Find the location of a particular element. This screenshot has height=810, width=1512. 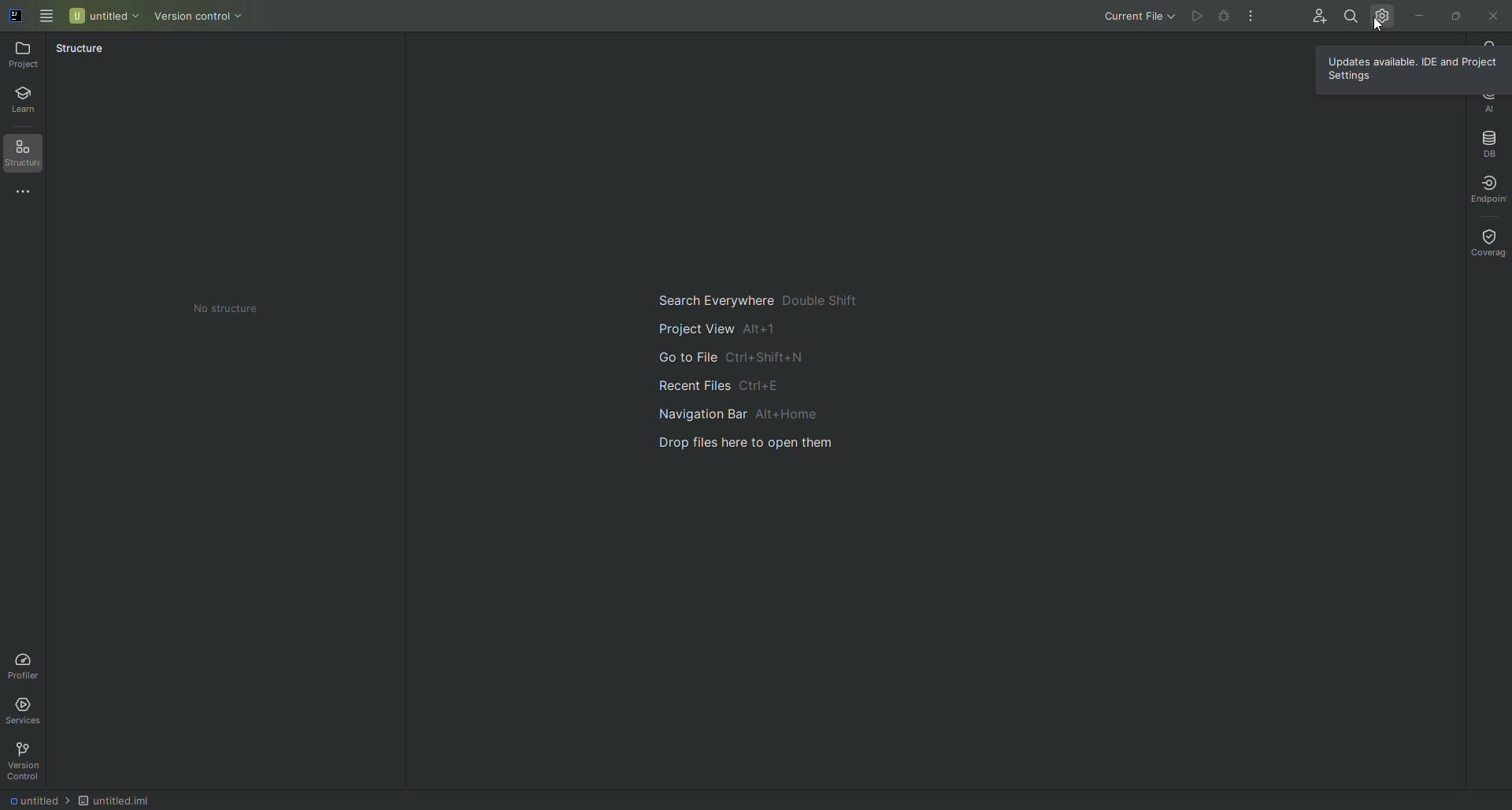

Learn is located at coordinates (31, 102).